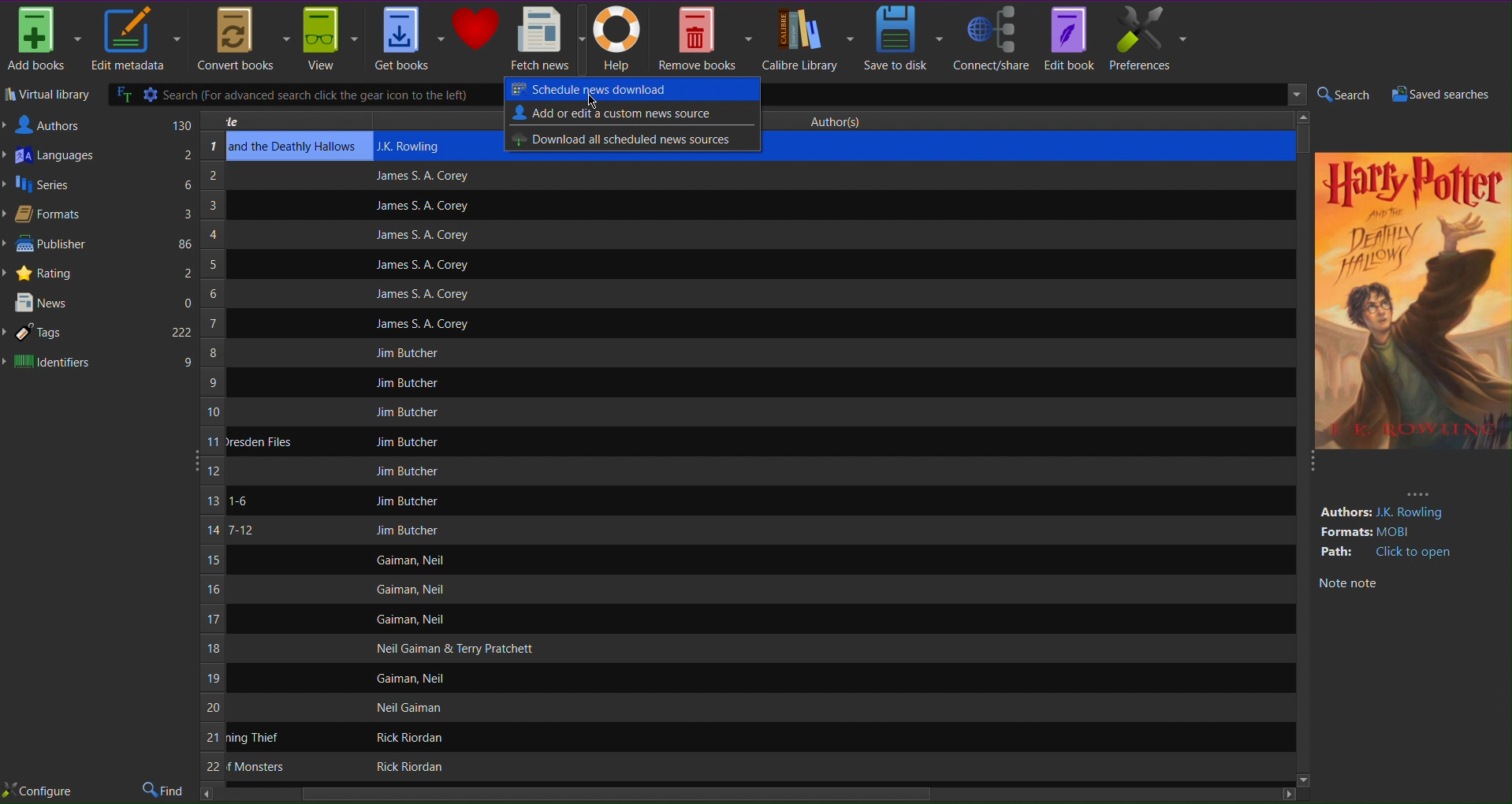  What do you see at coordinates (1339, 552) in the screenshot?
I see `Path:` at bounding box center [1339, 552].